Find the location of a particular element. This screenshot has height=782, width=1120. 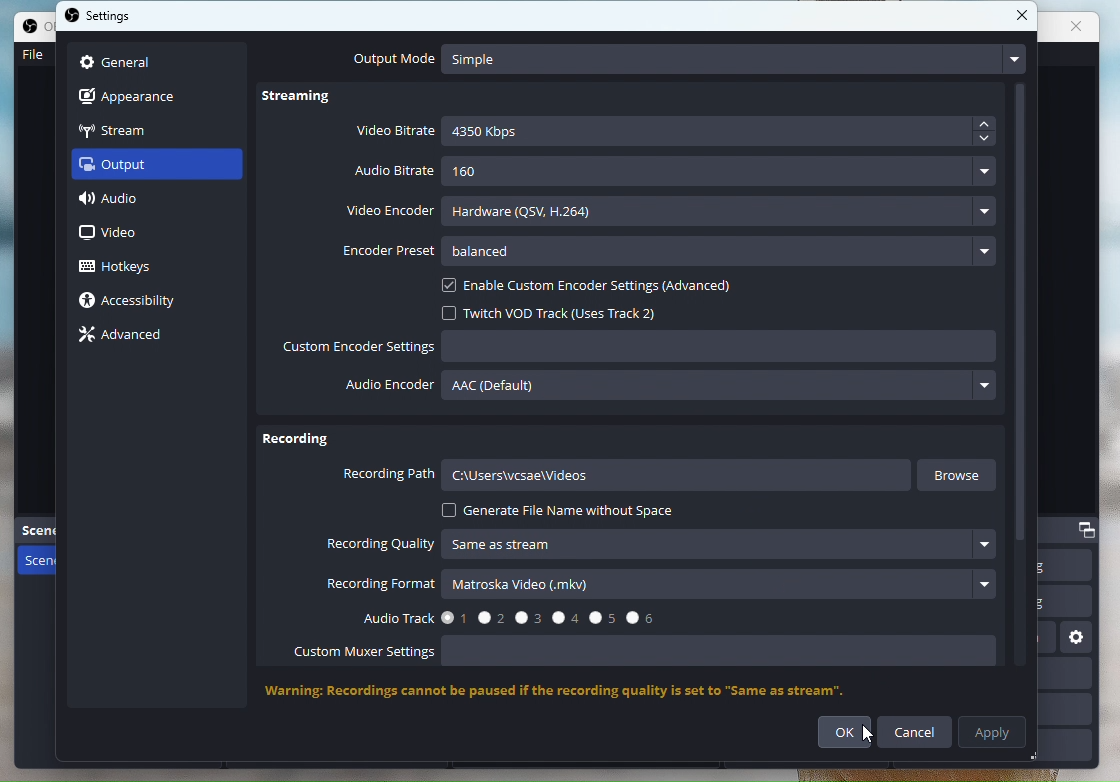

video encoder is located at coordinates (670, 208).